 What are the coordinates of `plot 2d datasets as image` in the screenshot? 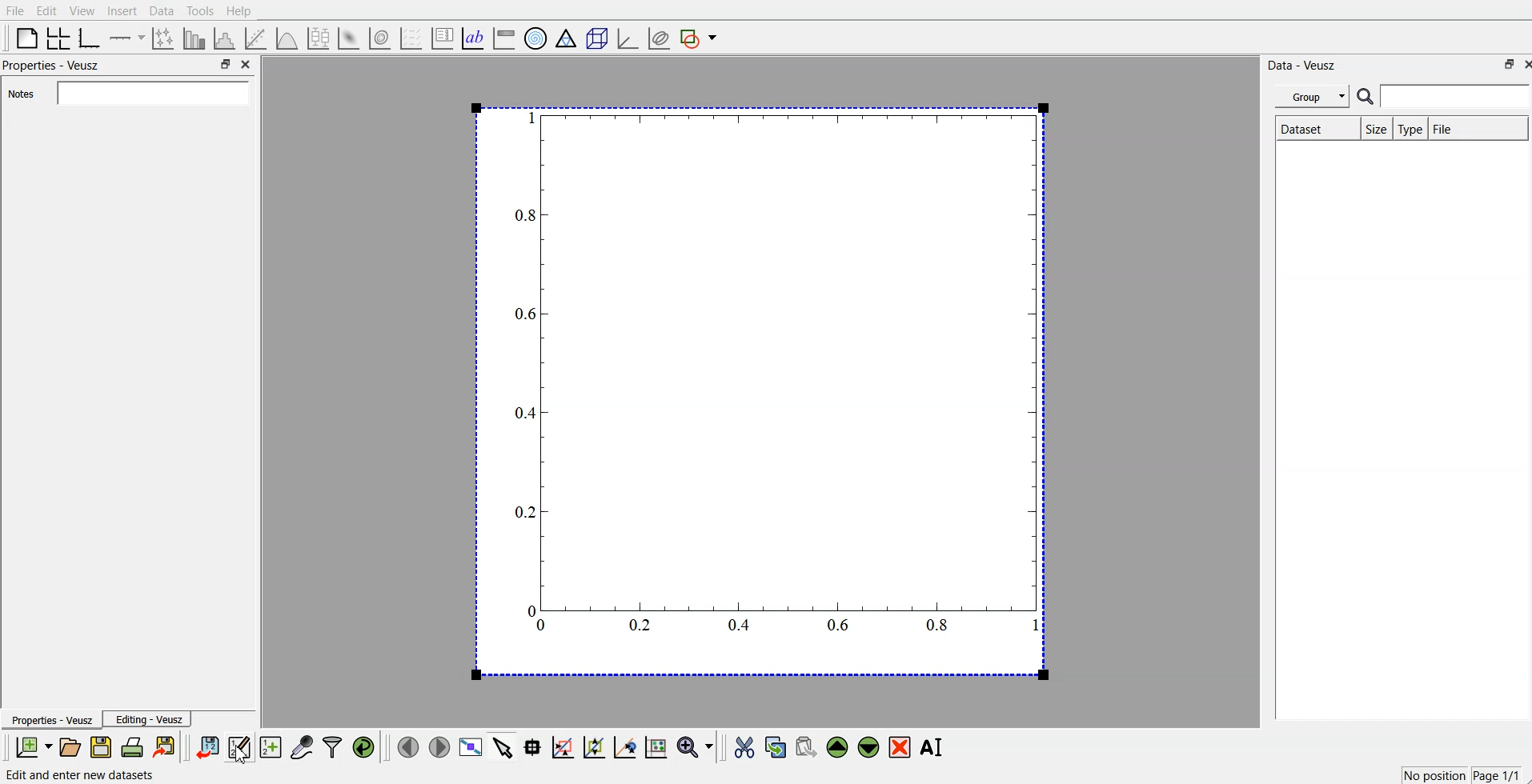 It's located at (350, 36).